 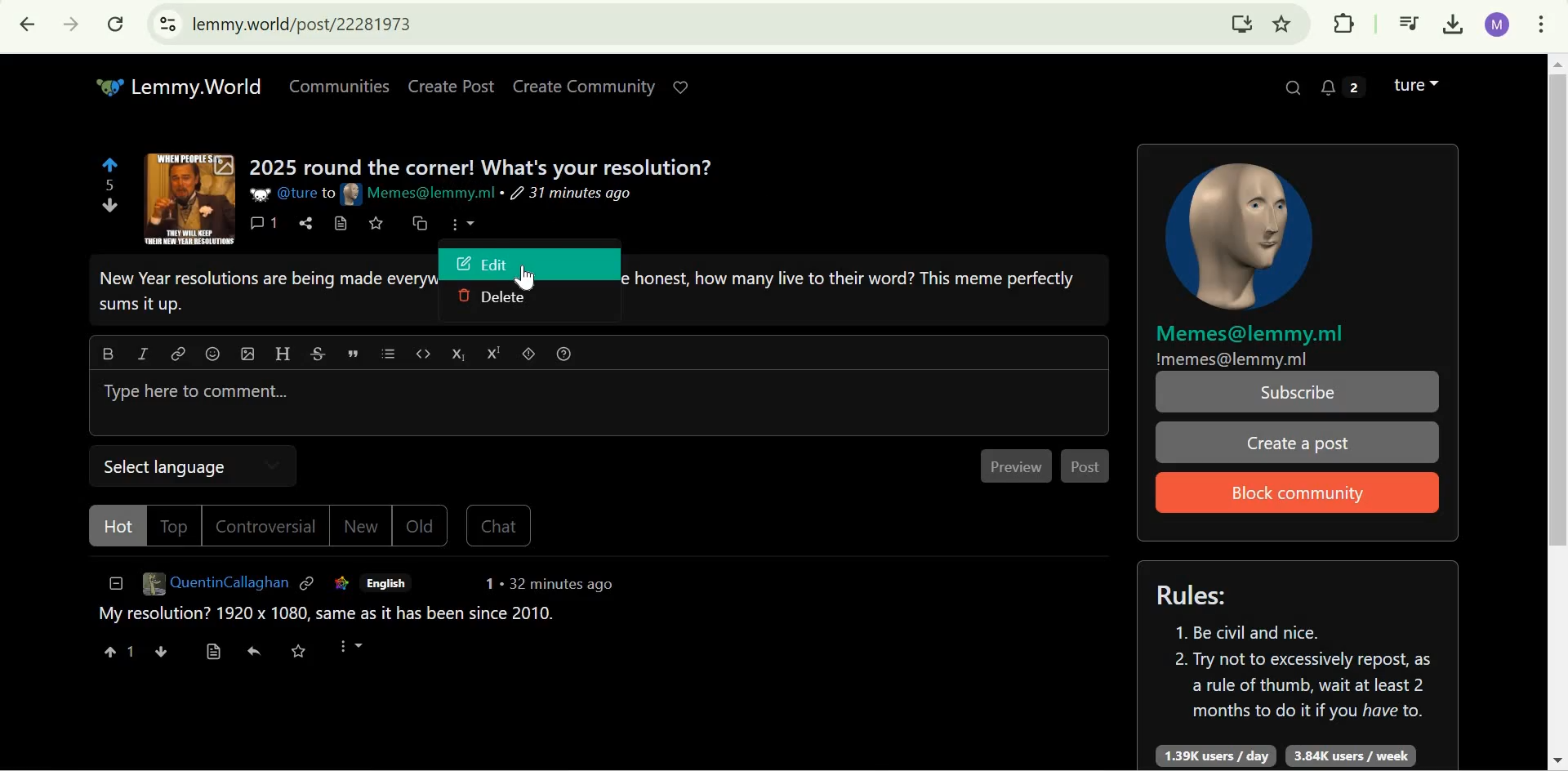 What do you see at coordinates (1199, 595) in the screenshot?
I see `Rules:` at bounding box center [1199, 595].